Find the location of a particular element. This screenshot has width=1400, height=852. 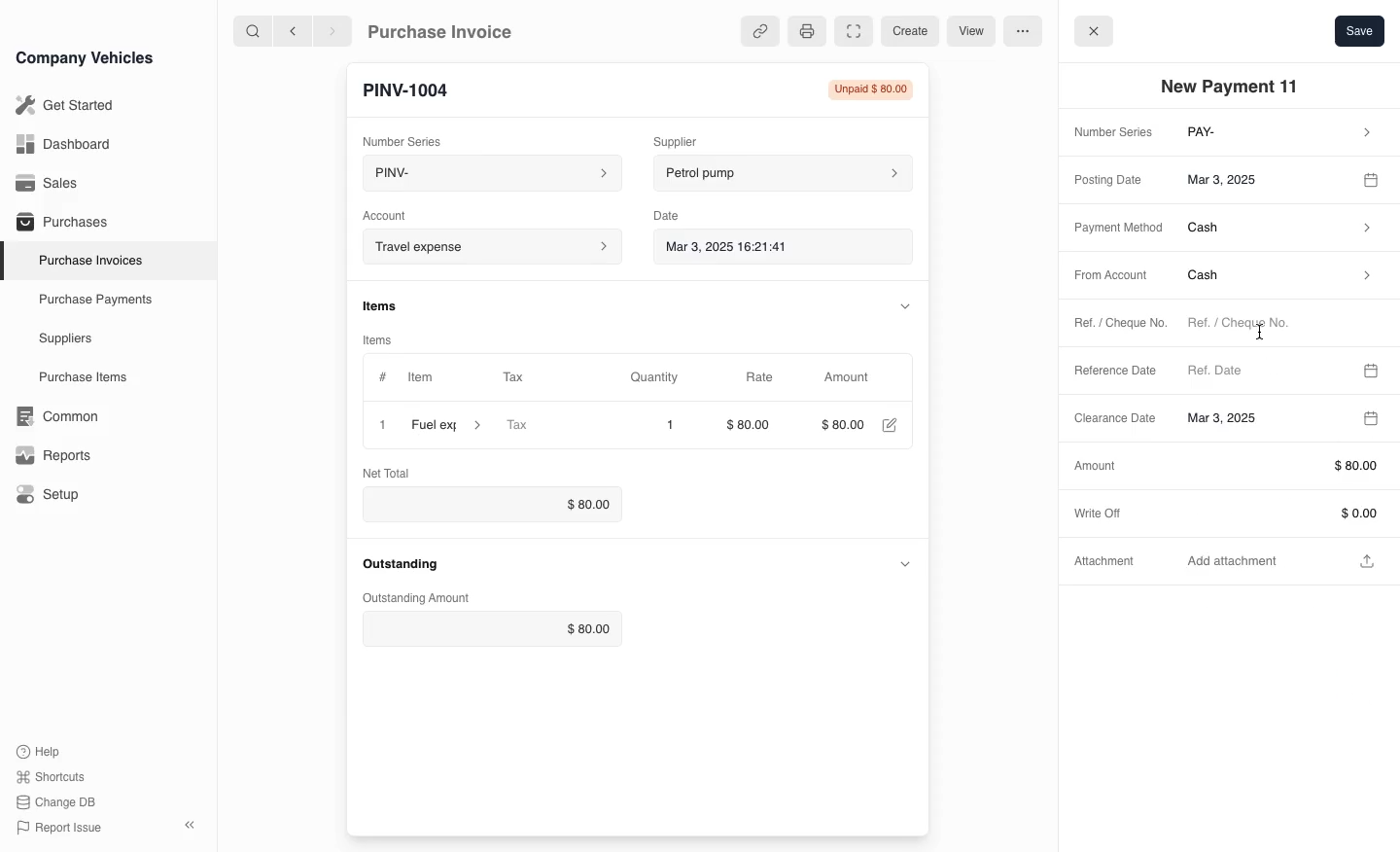

Purchase Invoices is located at coordinates (87, 260).